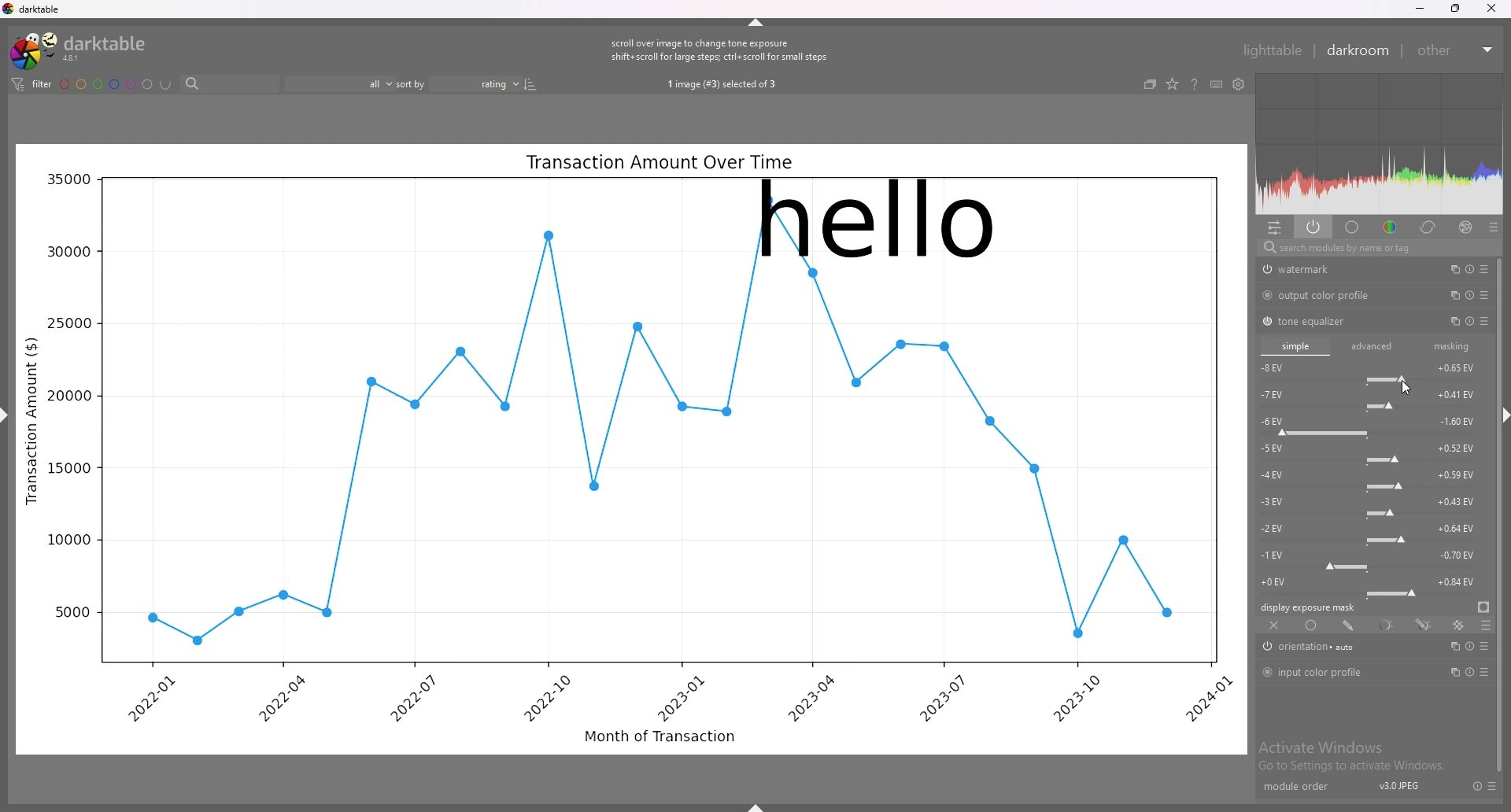 Image resolution: width=1511 pixels, height=812 pixels. What do you see at coordinates (1372, 532) in the screenshot?
I see `-2 EV force` at bounding box center [1372, 532].